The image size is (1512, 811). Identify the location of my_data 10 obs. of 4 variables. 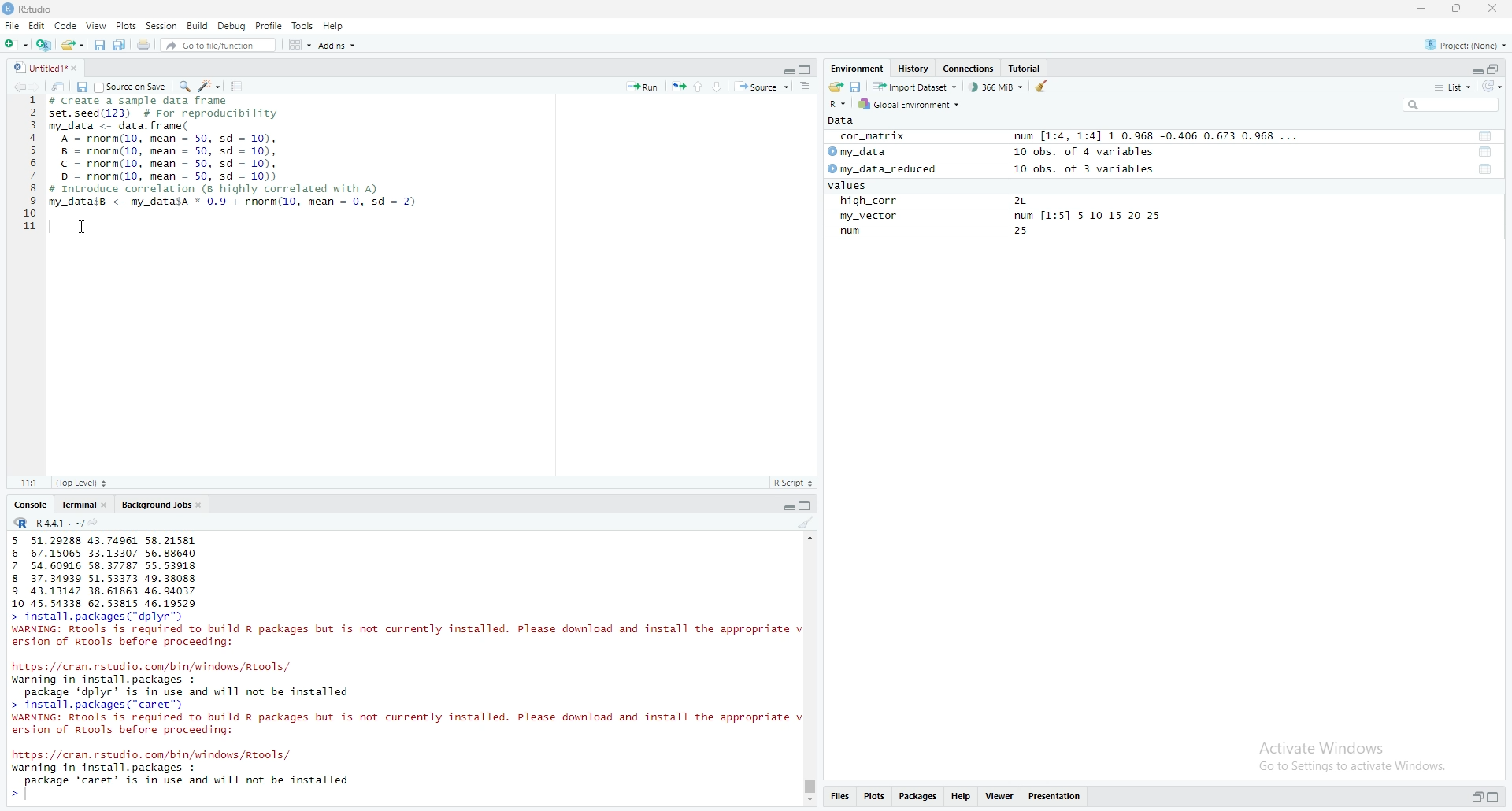
(991, 152).